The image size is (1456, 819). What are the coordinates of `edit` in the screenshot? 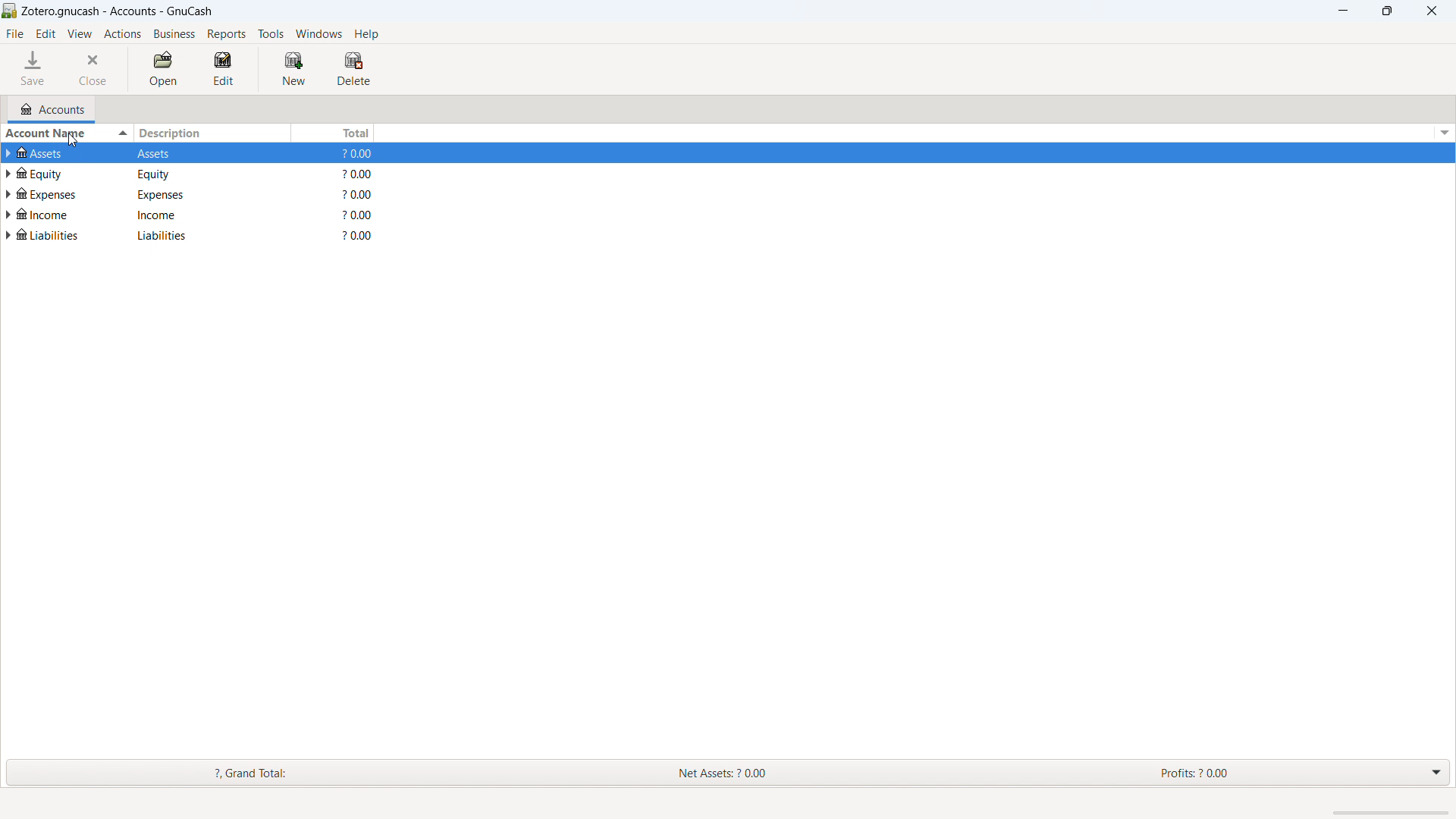 It's located at (224, 69).